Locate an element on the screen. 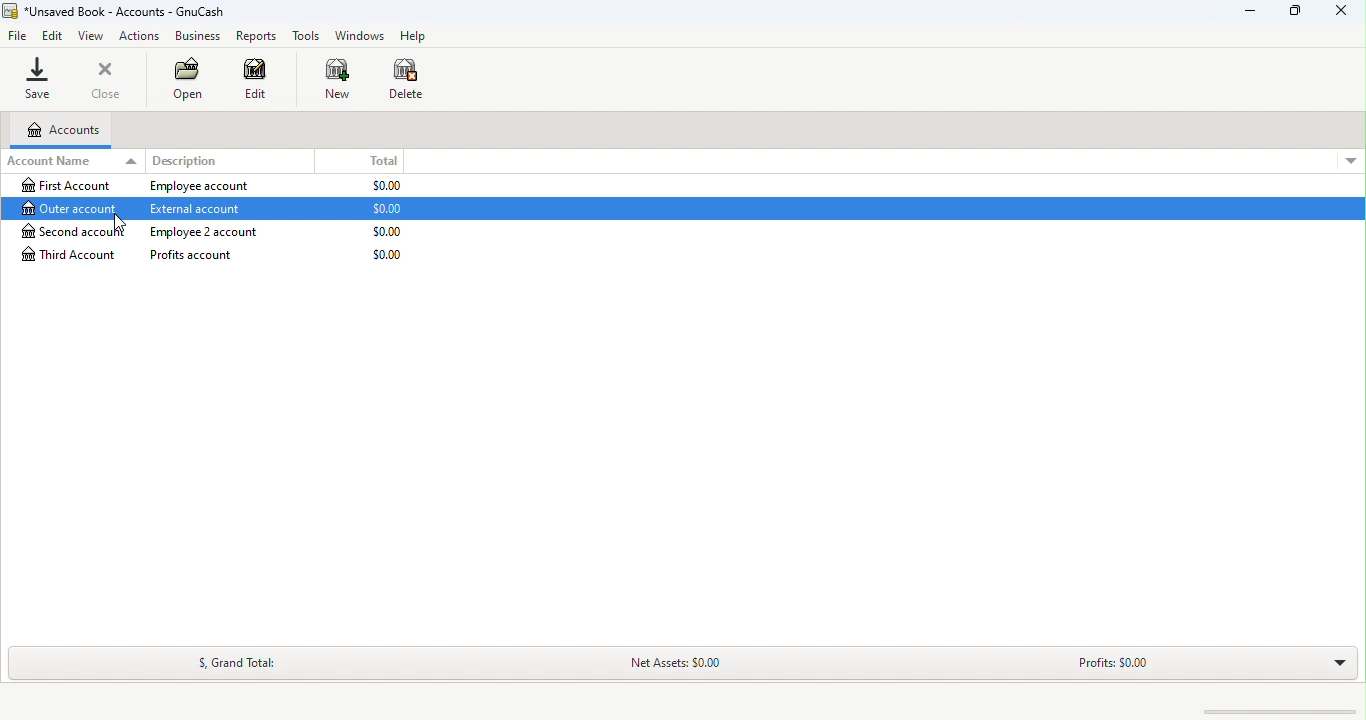  Minimize is located at coordinates (1255, 9).